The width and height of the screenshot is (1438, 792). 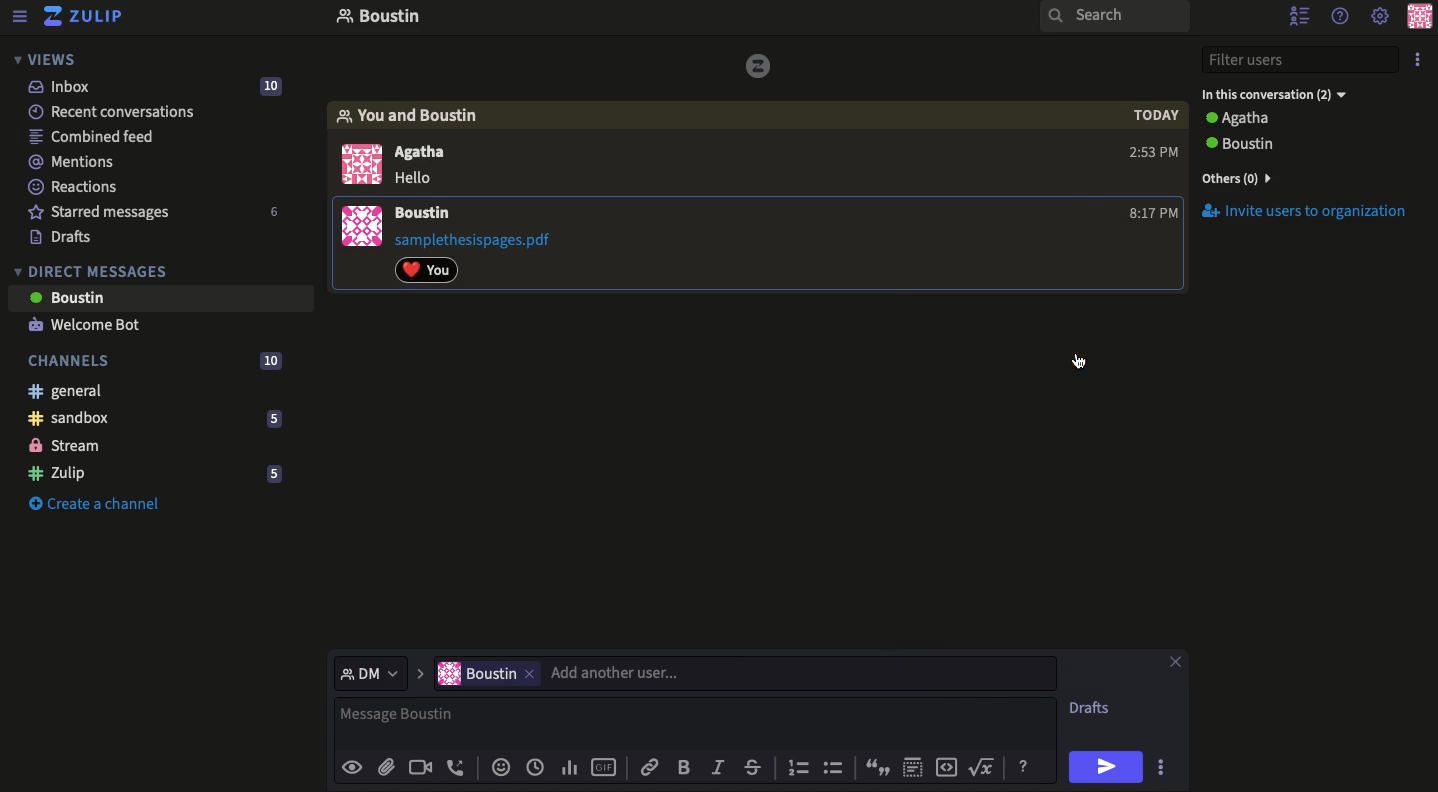 I want to click on Global time, so click(x=535, y=766).